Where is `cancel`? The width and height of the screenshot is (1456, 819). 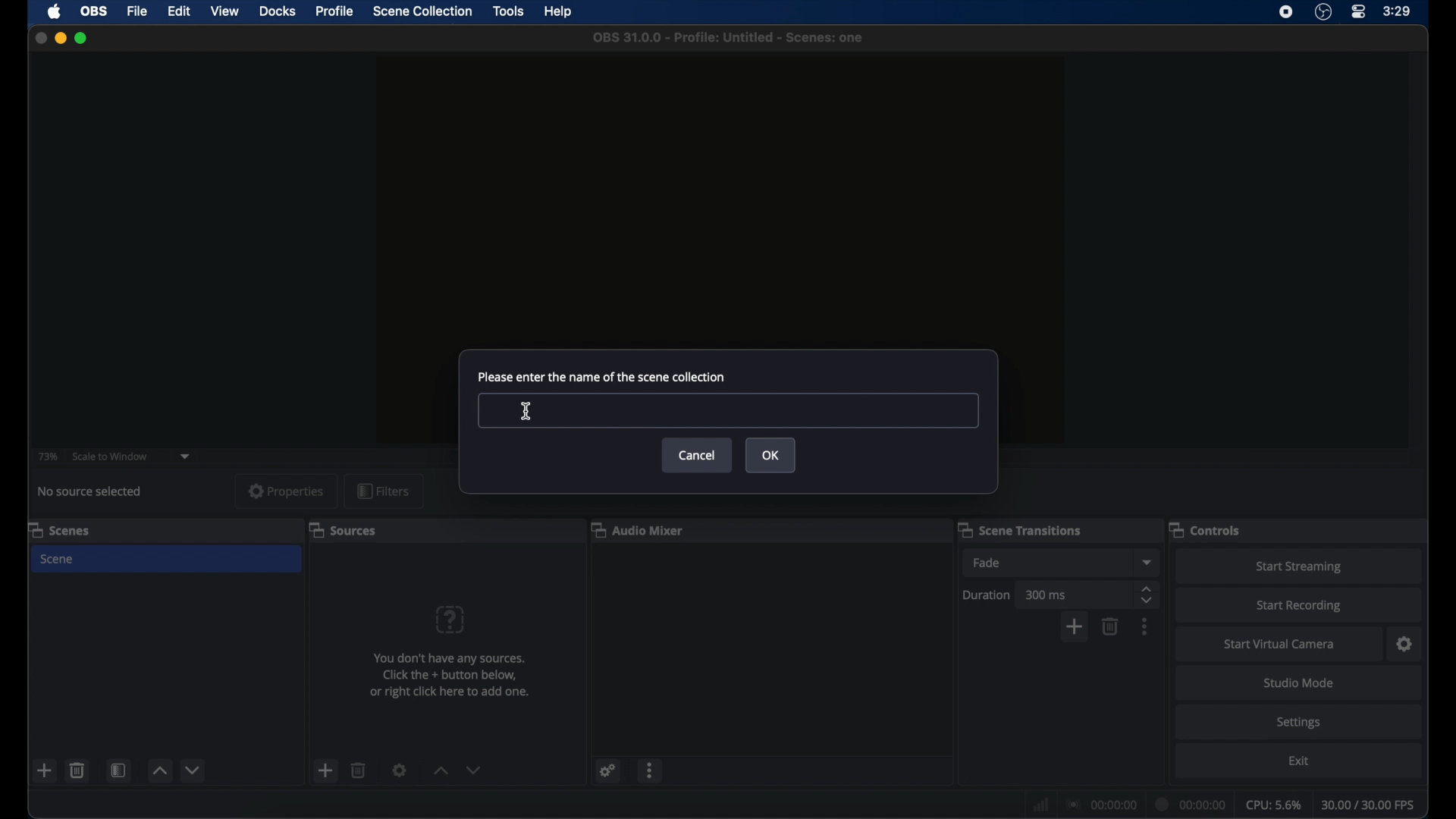
cancel is located at coordinates (697, 456).